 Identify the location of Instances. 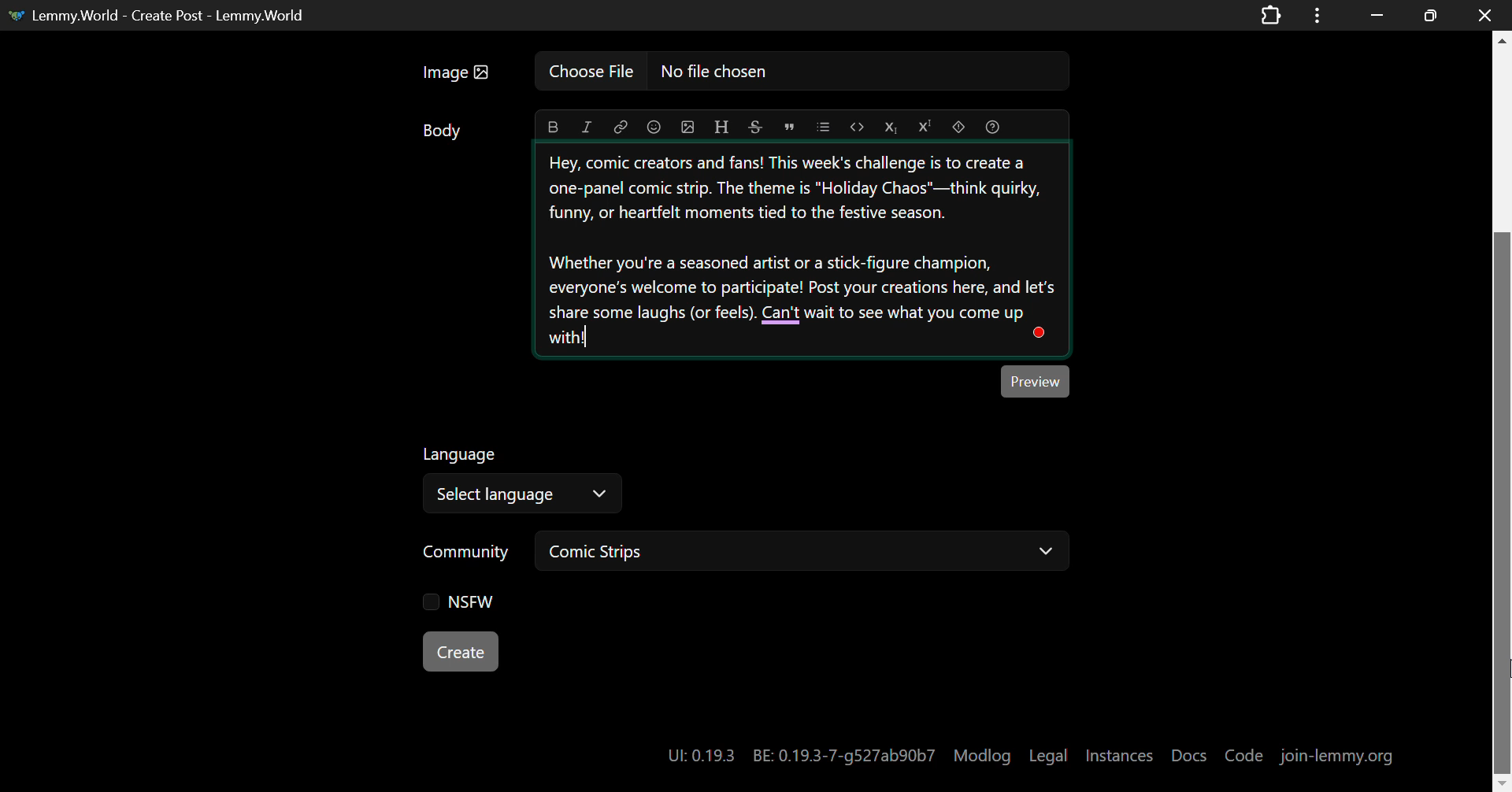
(1121, 755).